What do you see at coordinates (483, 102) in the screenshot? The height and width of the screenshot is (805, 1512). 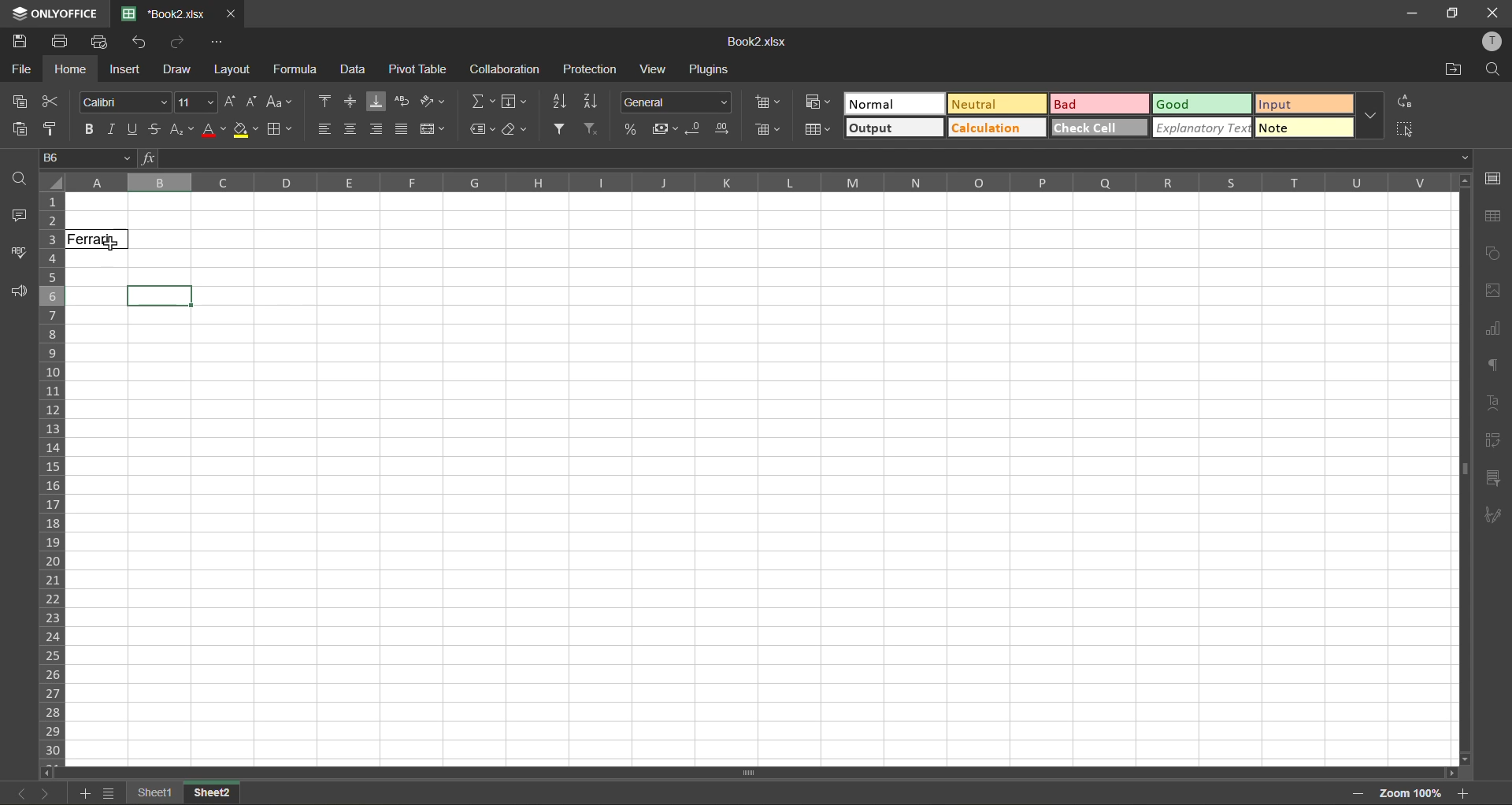 I see `summation` at bounding box center [483, 102].